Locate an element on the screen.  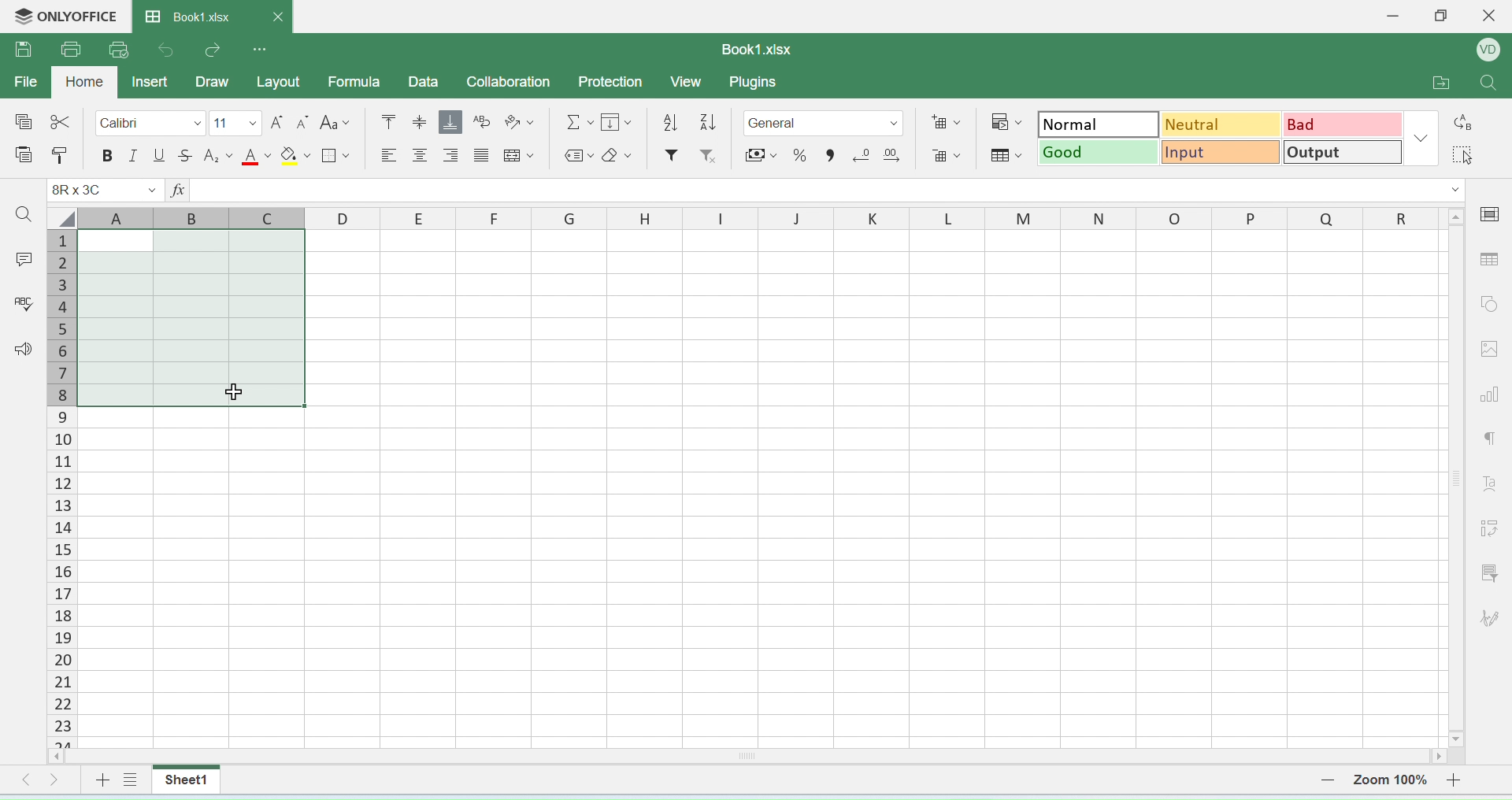
percent is located at coordinates (803, 154).